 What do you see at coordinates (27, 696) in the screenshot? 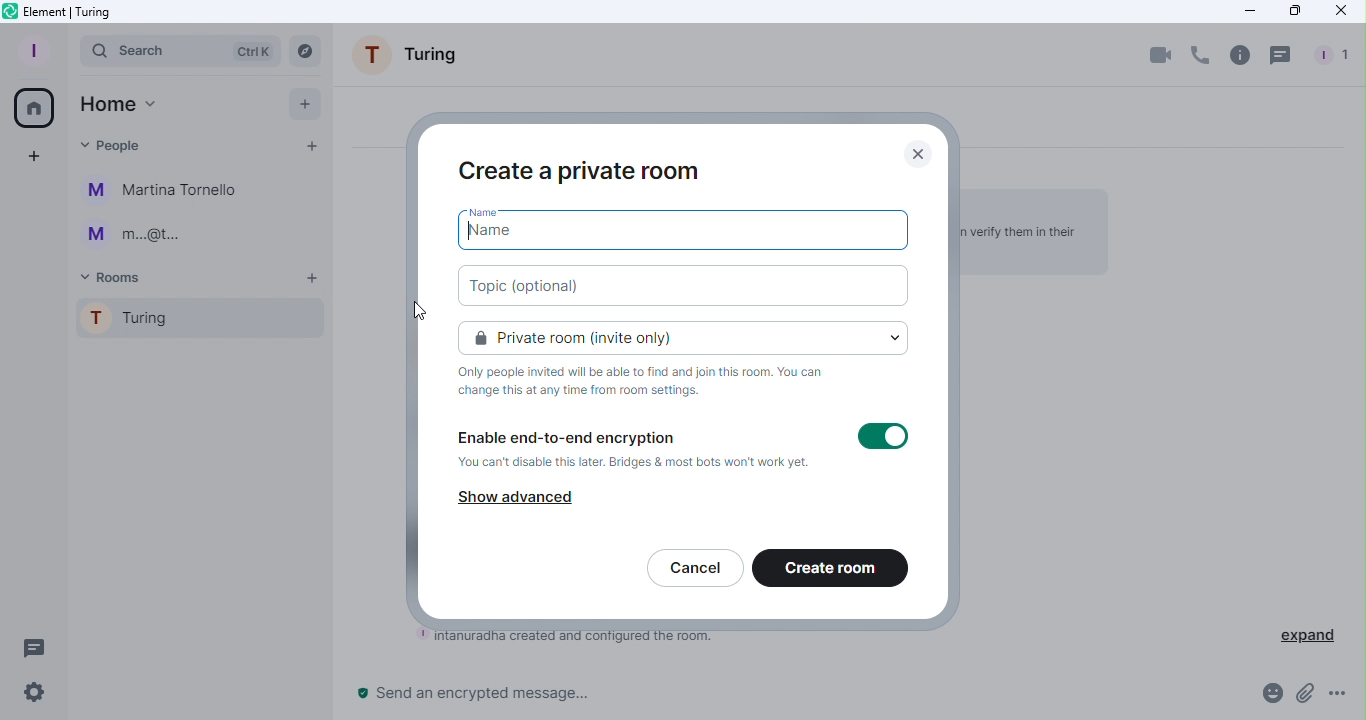
I see `Quick settings` at bounding box center [27, 696].